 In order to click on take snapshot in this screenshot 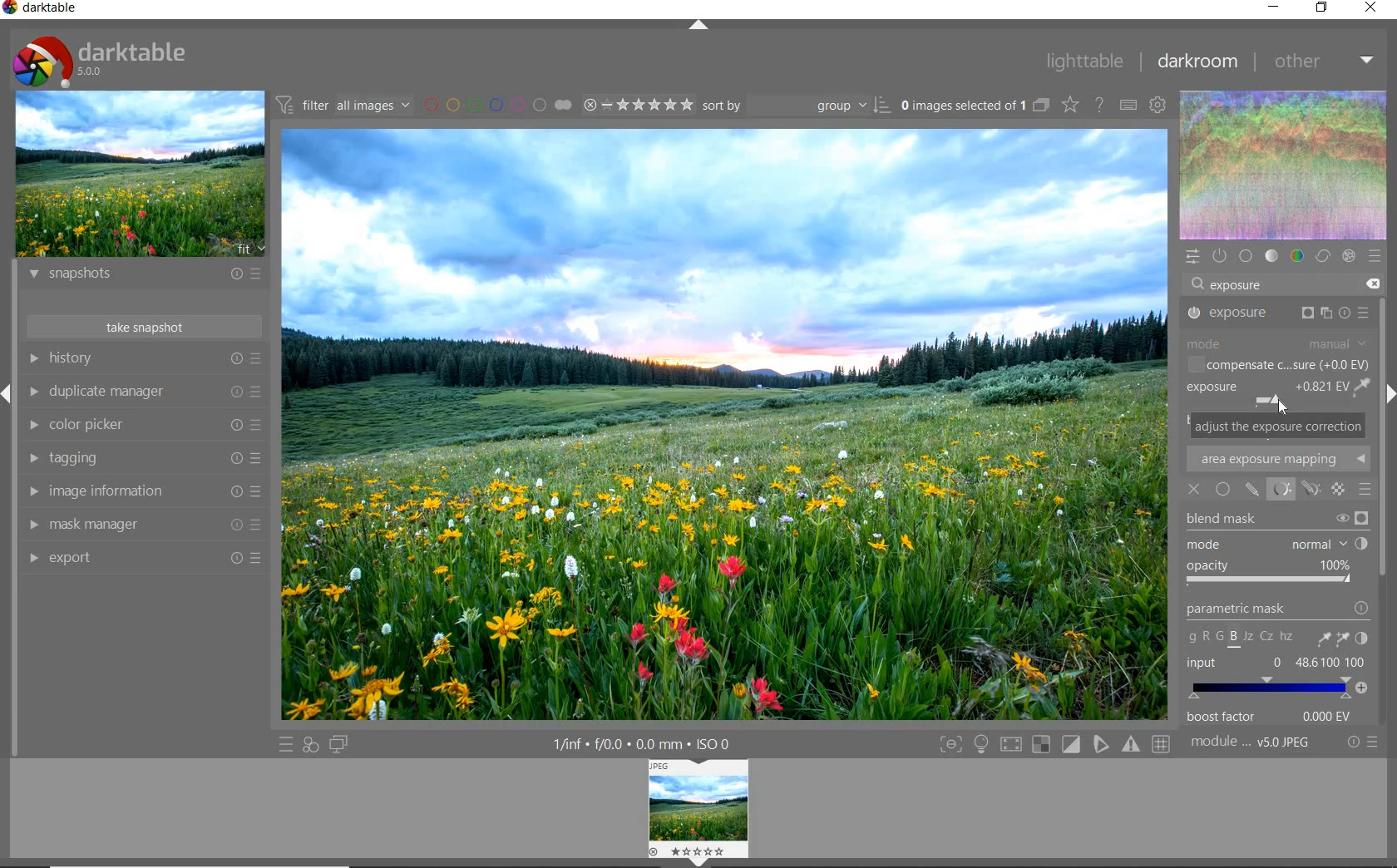, I will do `click(146, 327)`.